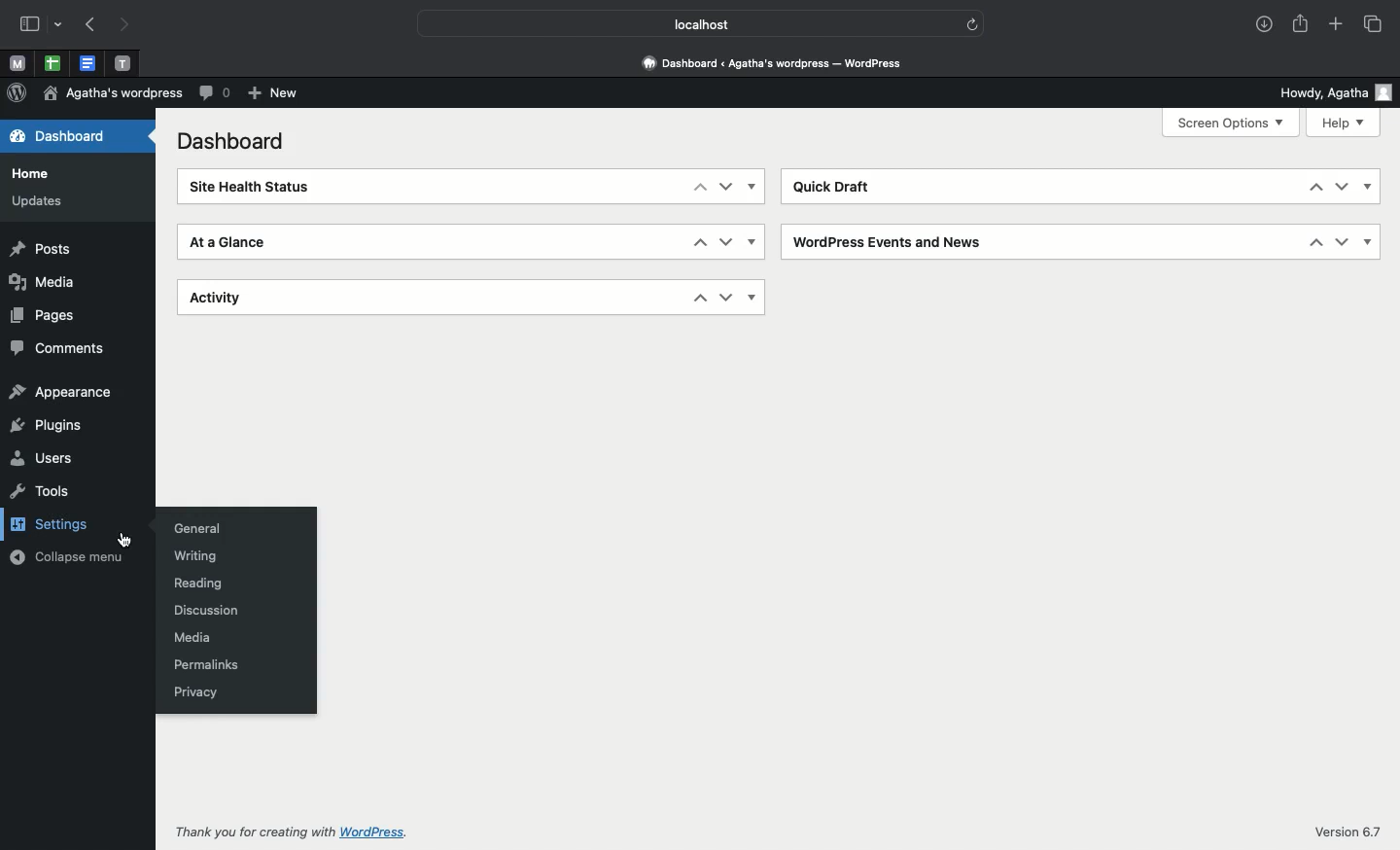 Image resolution: width=1400 pixels, height=850 pixels. What do you see at coordinates (64, 555) in the screenshot?
I see `Collapse menu` at bounding box center [64, 555].